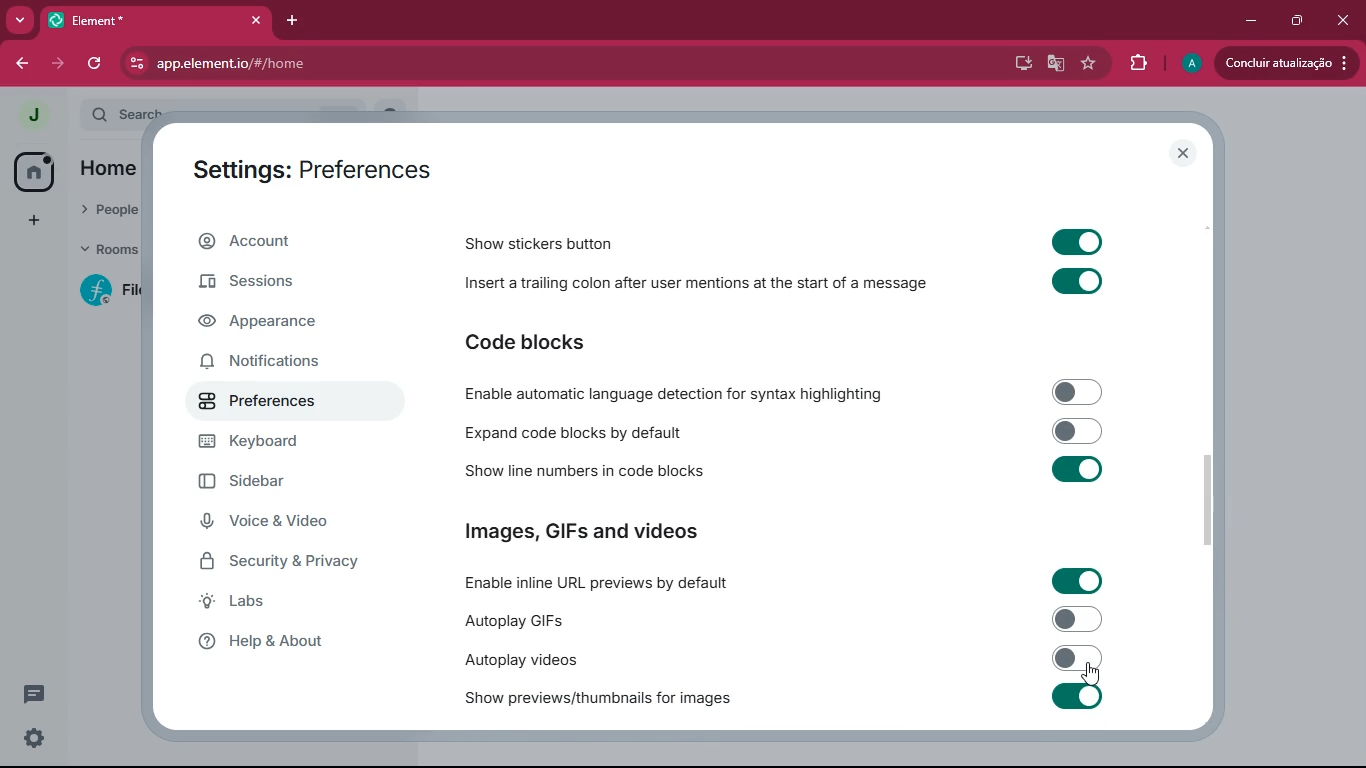  What do you see at coordinates (26, 63) in the screenshot?
I see `back` at bounding box center [26, 63].